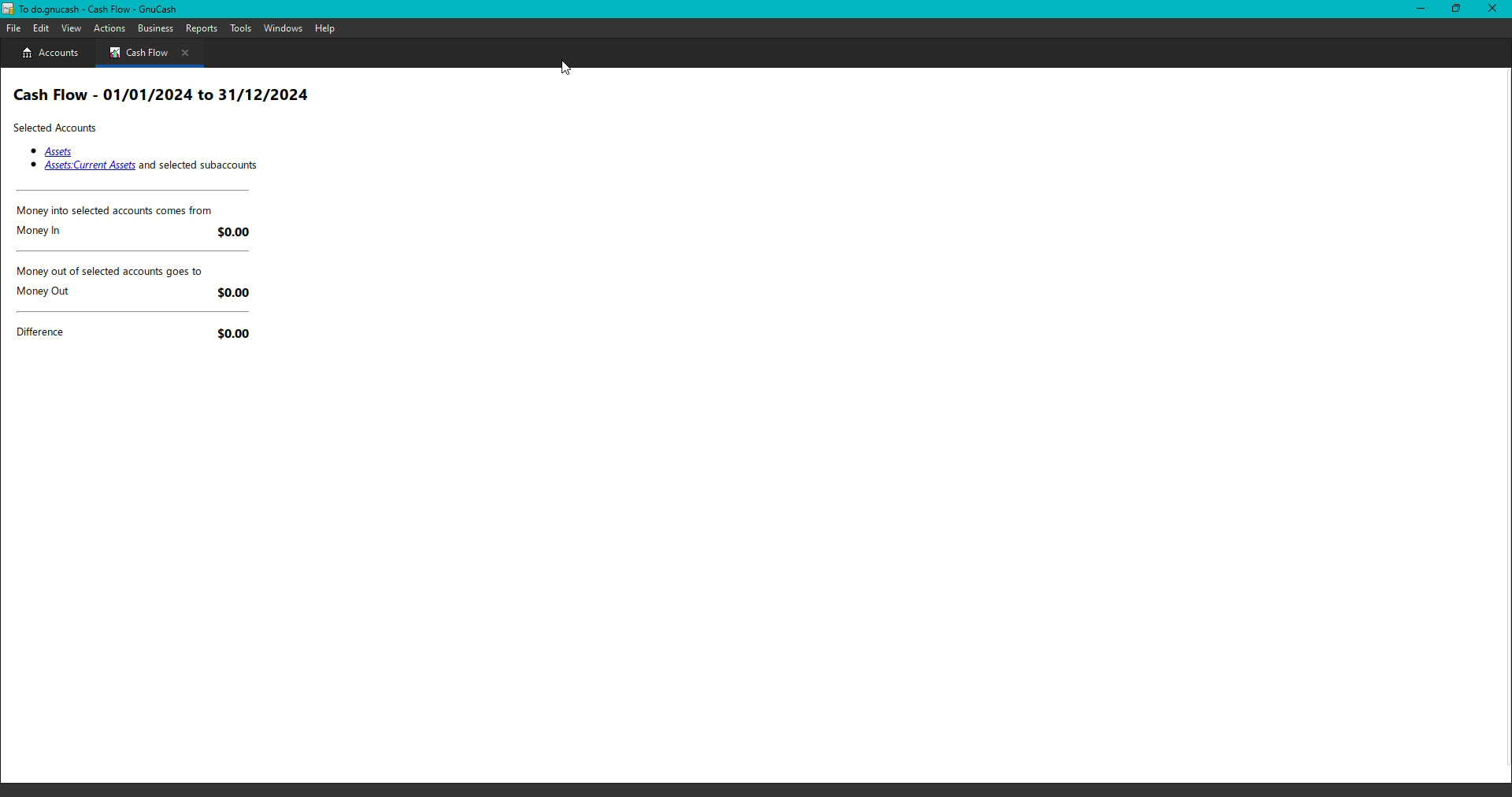 This screenshot has height=797, width=1512. Describe the element at coordinates (1417, 11) in the screenshot. I see `Restore` at that location.